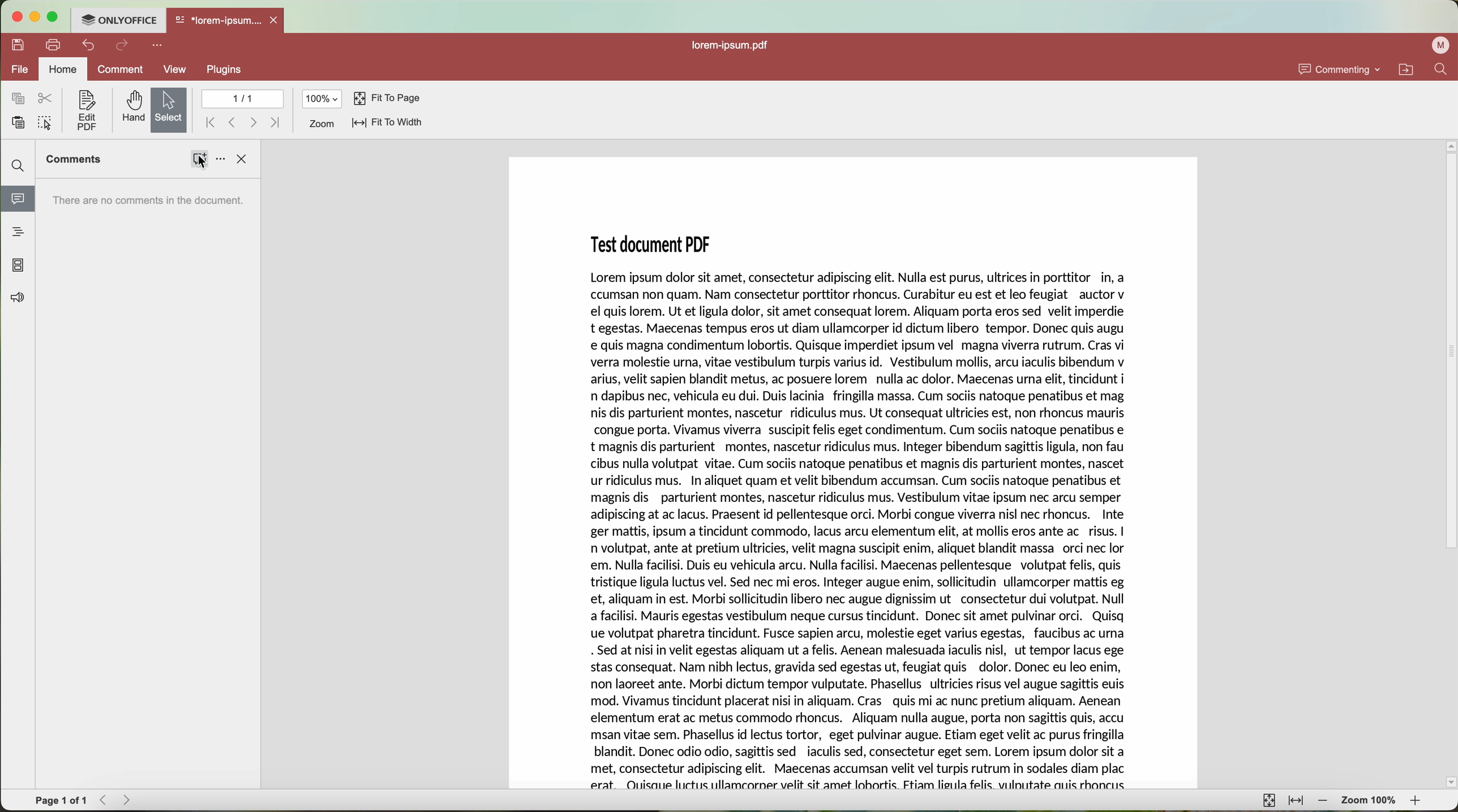  Describe the element at coordinates (123, 46) in the screenshot. I see `redo` at that location.